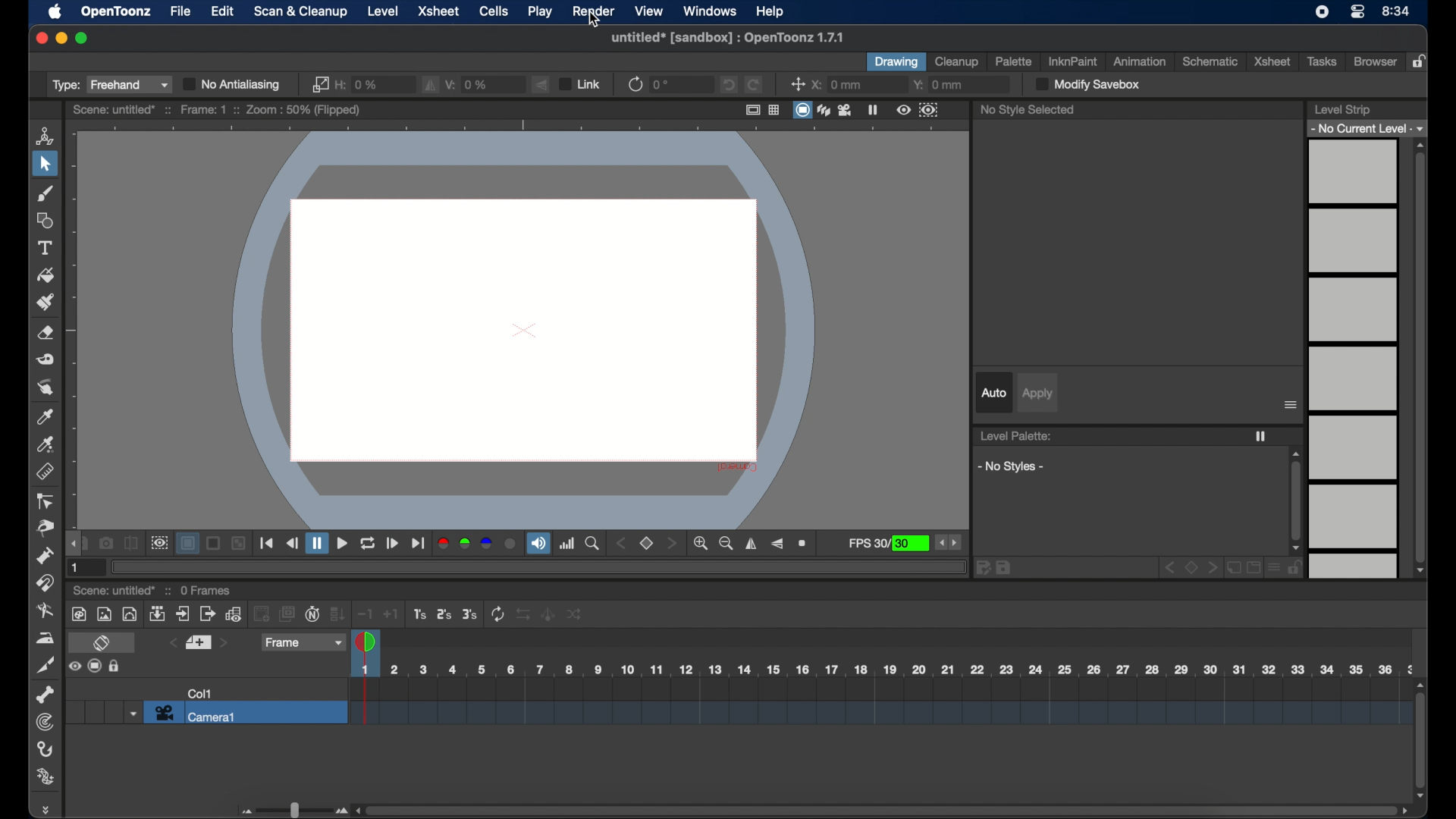  I want to click on scroll box, so click(1421, 739).